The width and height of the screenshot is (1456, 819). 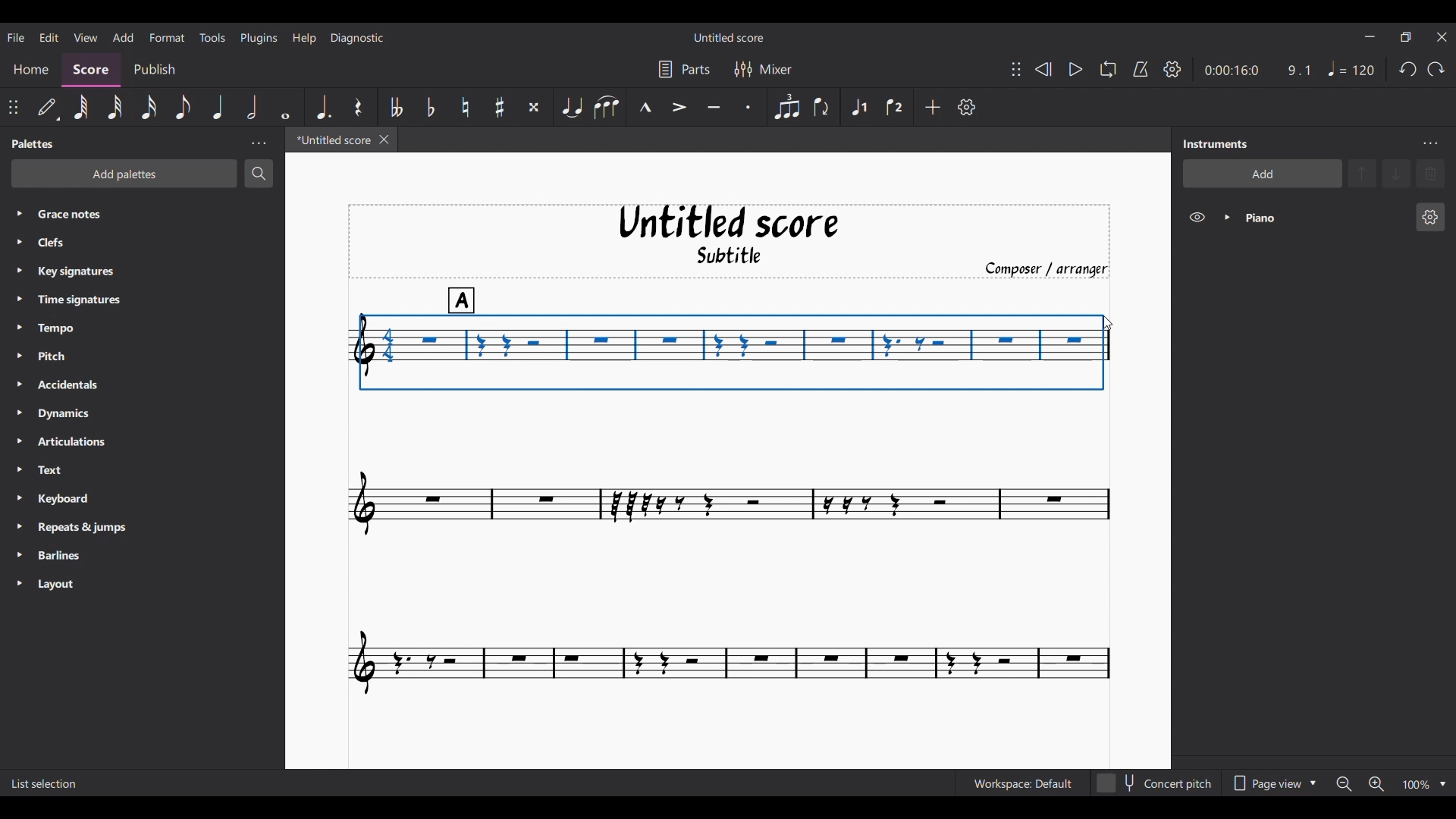 I want to click on Expand instrument, so click(x=1227, y=218).